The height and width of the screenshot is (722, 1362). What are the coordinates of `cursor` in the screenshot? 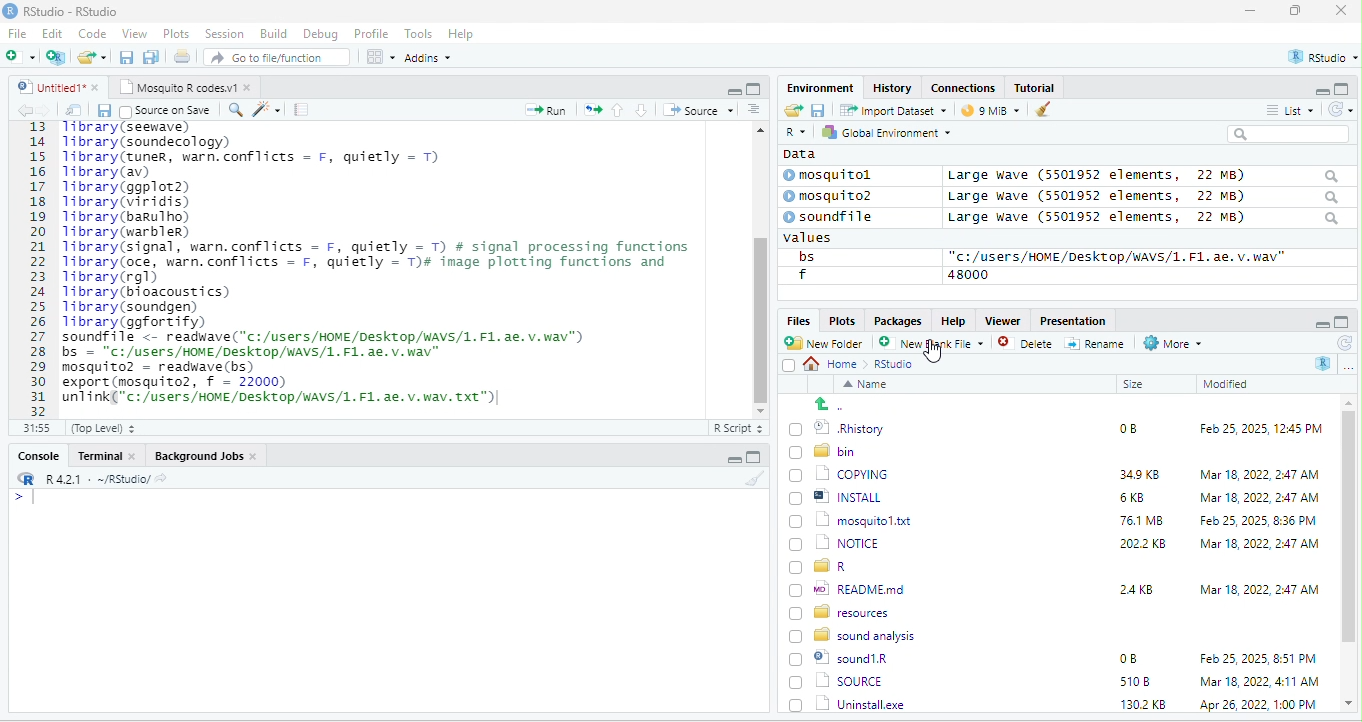 It's located at (942, 356).